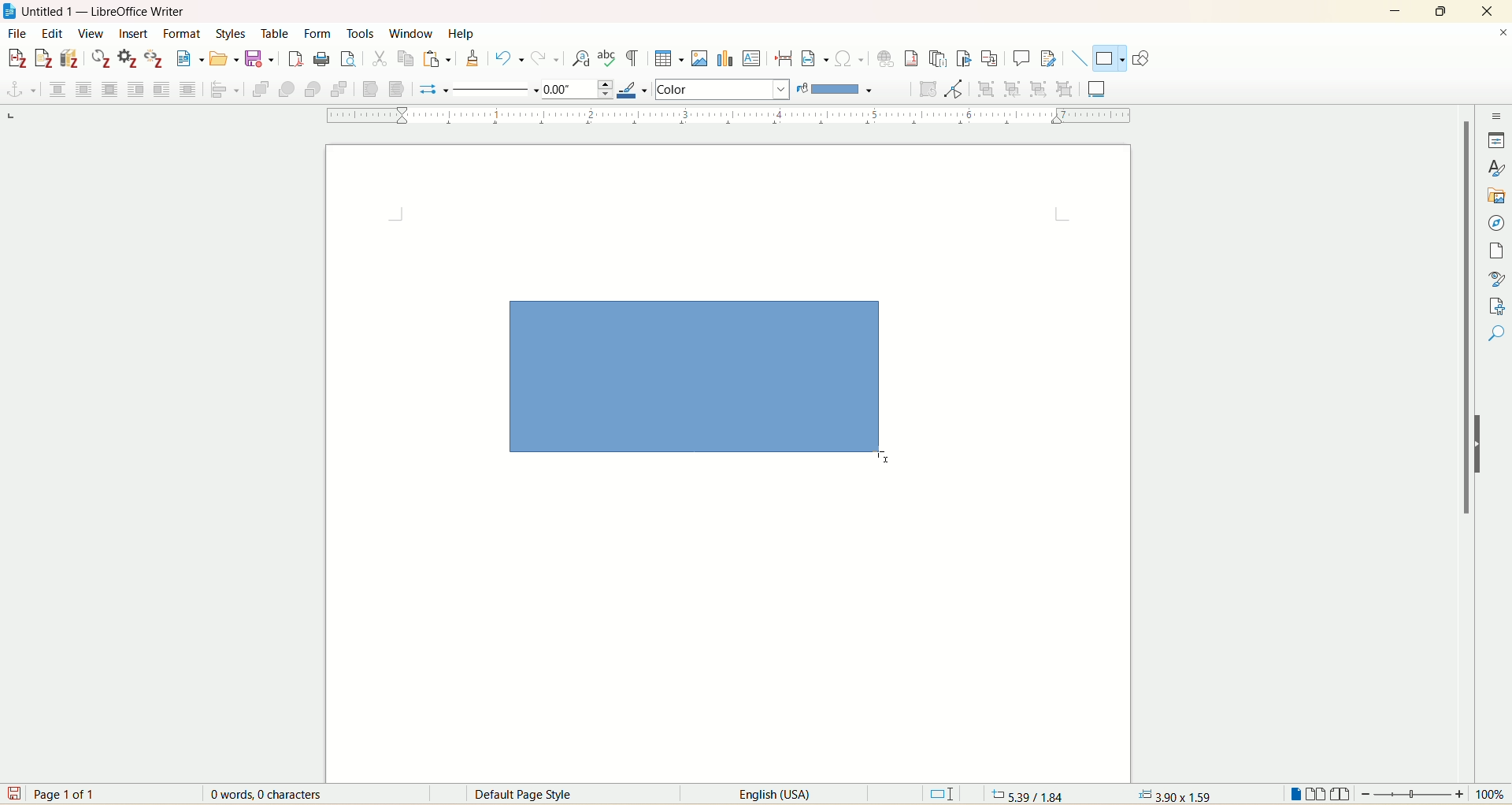  Describe the element at coordinates (1497, 114) in the screenshot. I see `sidebar settings` at that location.